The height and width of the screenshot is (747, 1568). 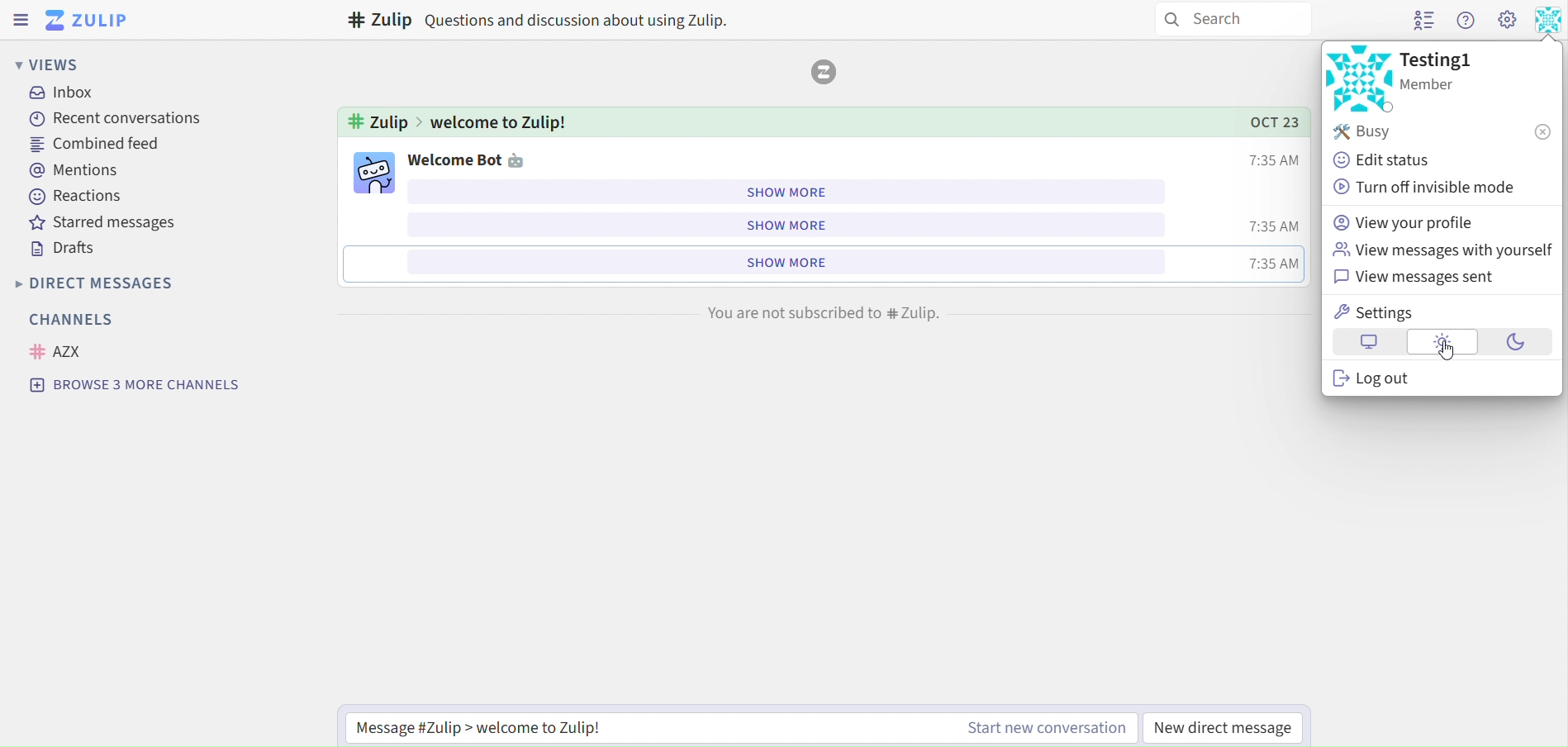 What do you see at coordinates (79, 321) in the screenshot?
I see `channels` at bounding box center [79, 321].